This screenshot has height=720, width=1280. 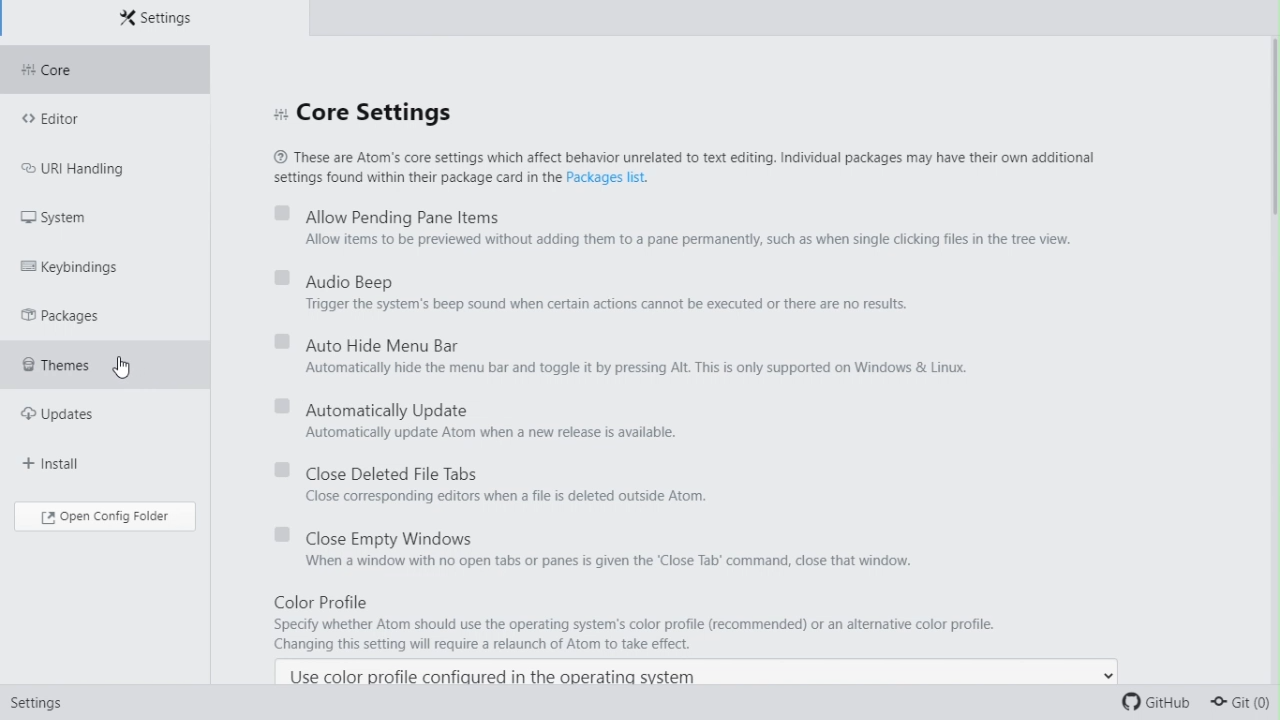 I want to click on Close deleted file tabs, so click(x=504, y=480).